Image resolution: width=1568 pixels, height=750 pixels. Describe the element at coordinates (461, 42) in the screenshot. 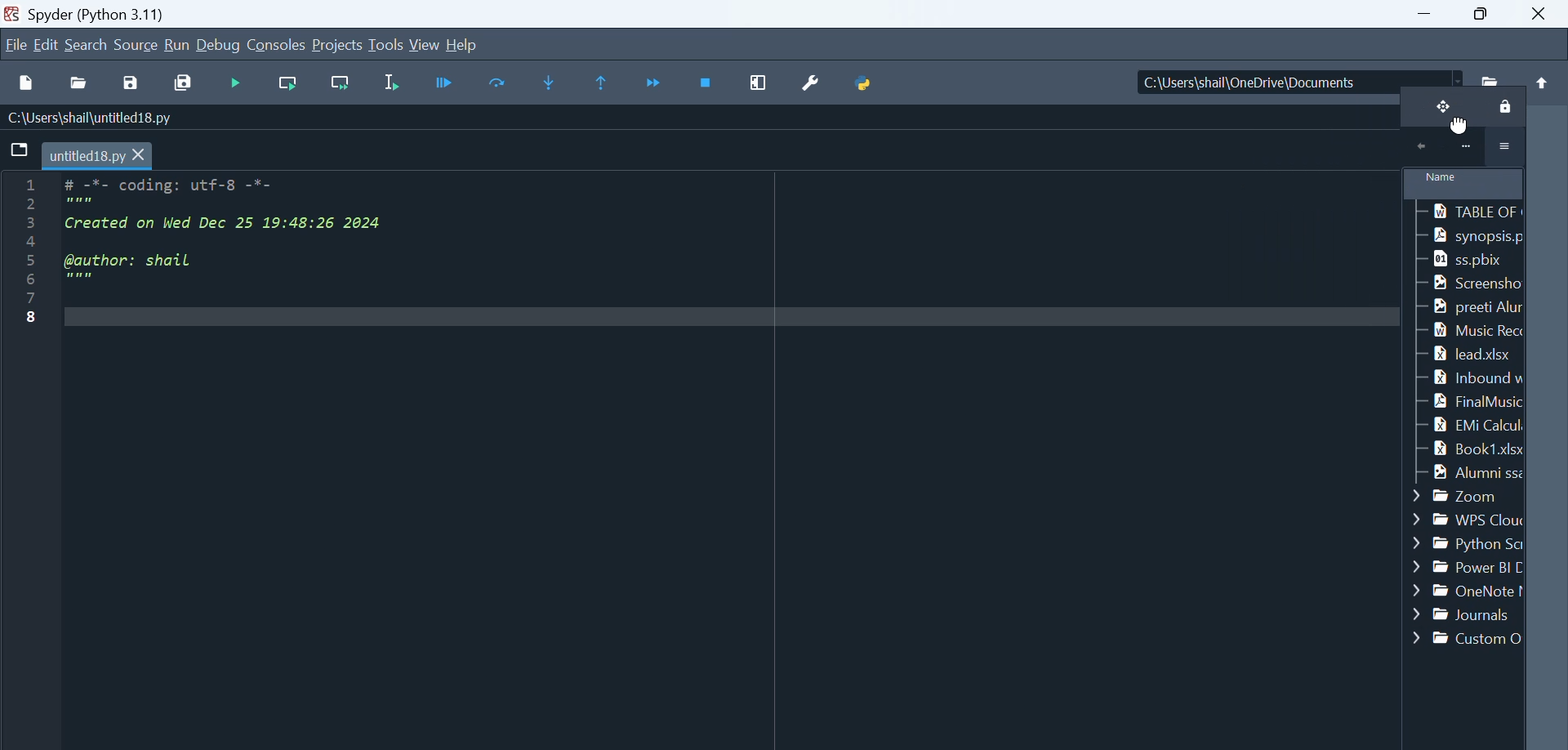

I see `Help` at that location.